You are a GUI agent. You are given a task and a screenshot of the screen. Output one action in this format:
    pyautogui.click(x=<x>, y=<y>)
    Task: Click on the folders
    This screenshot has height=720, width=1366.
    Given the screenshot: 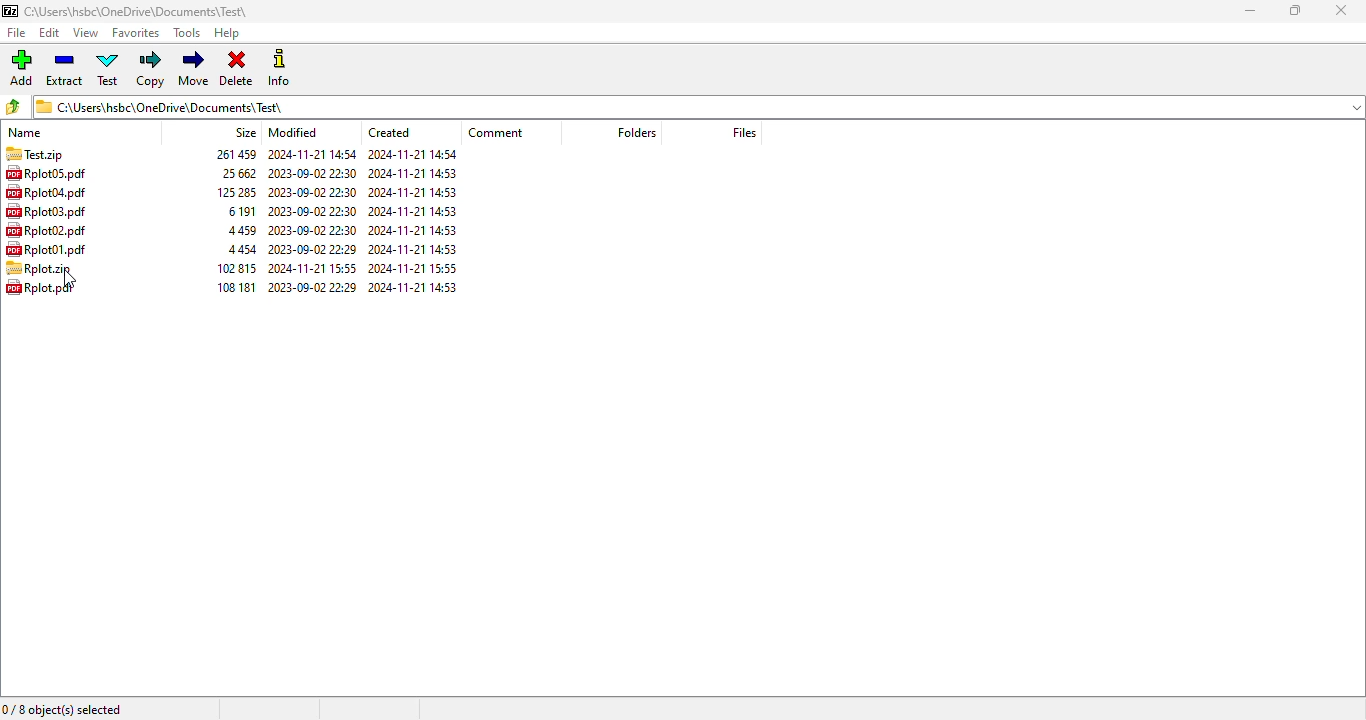 What is the action you would take?
    pyautogui.click(x=636, y=133)
    